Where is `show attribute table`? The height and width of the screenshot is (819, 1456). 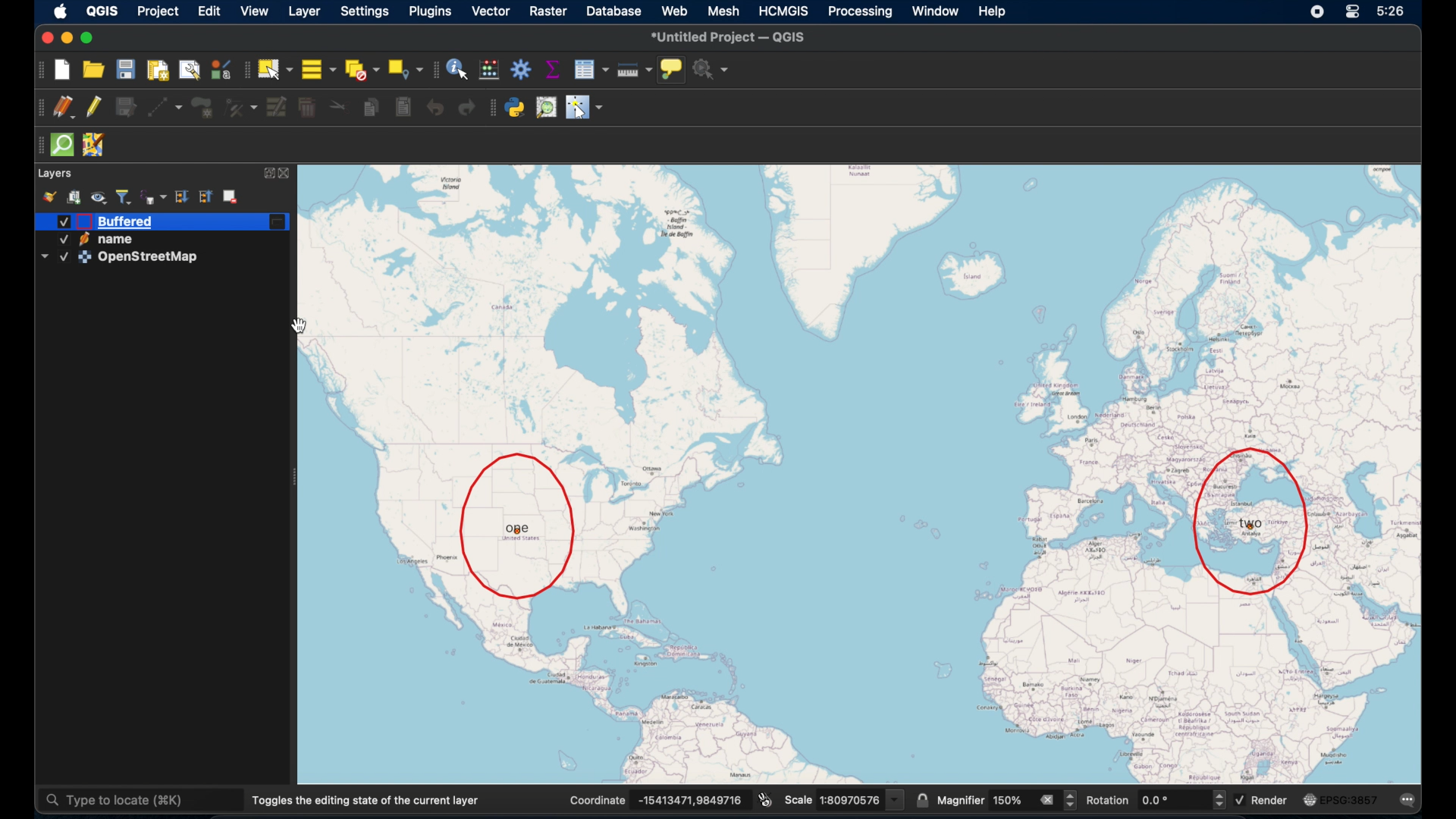 show attribute table is located at coordinates (593, 69).